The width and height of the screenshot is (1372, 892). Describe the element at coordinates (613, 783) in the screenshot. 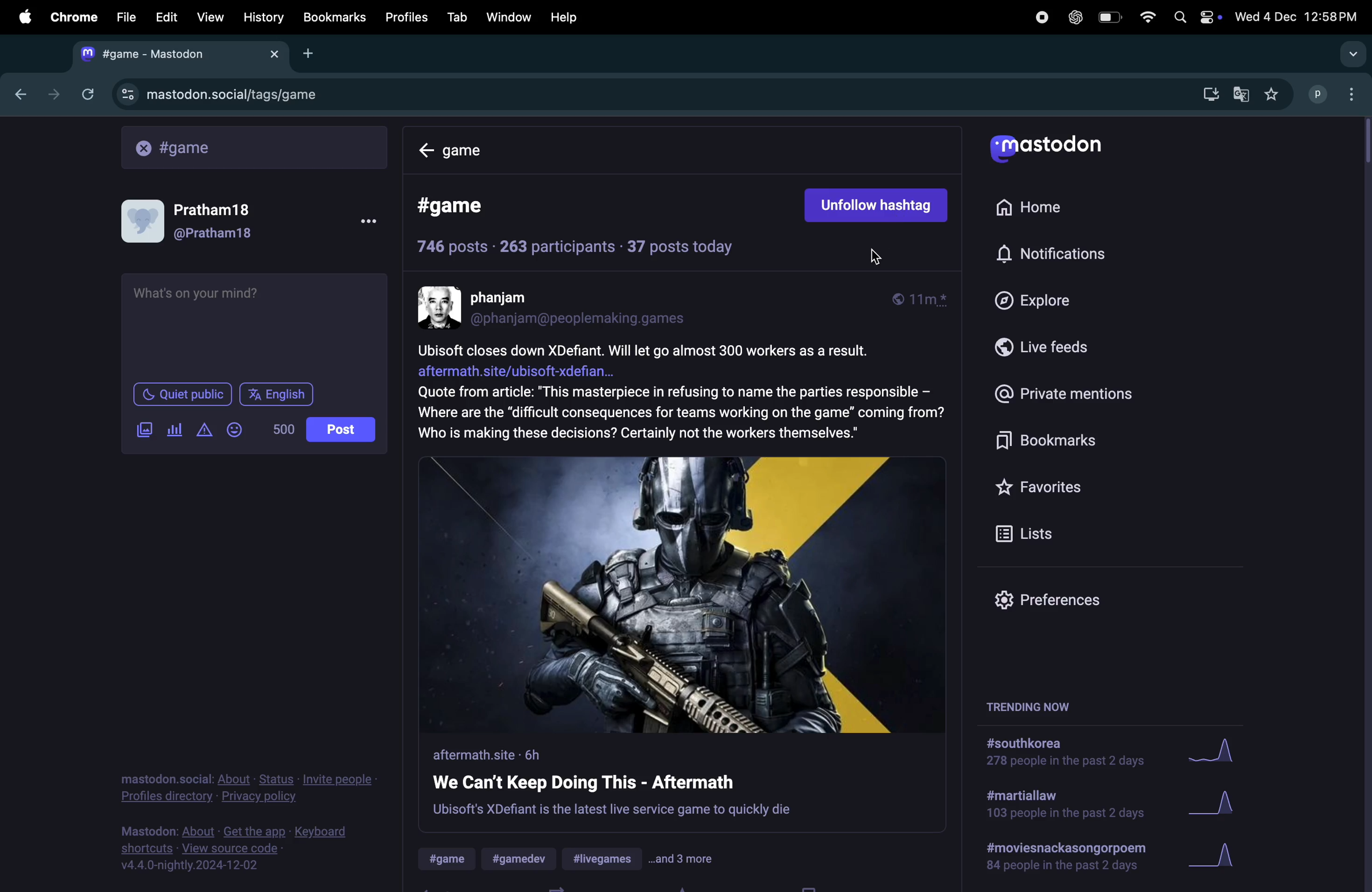

I see `we cant keep doing ` at that location.